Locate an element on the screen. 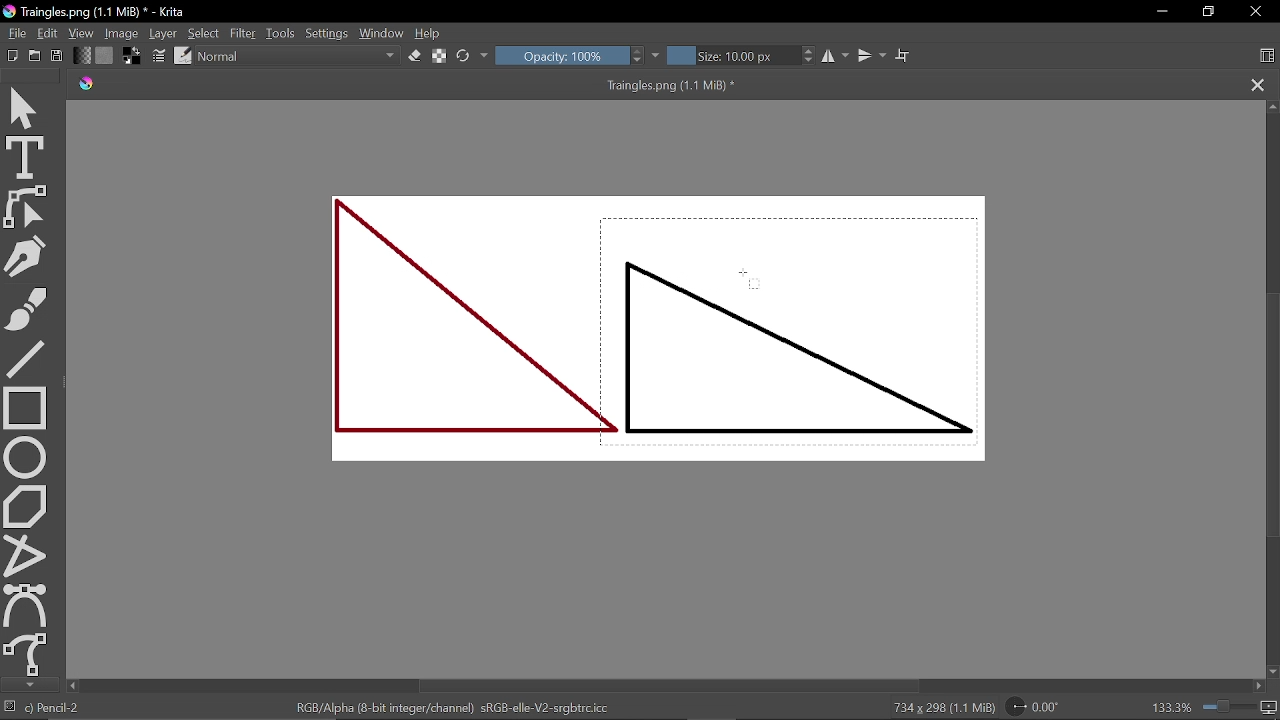 The image size is (1280, 720). Pencil-2 is located at coordinates (58, 707).